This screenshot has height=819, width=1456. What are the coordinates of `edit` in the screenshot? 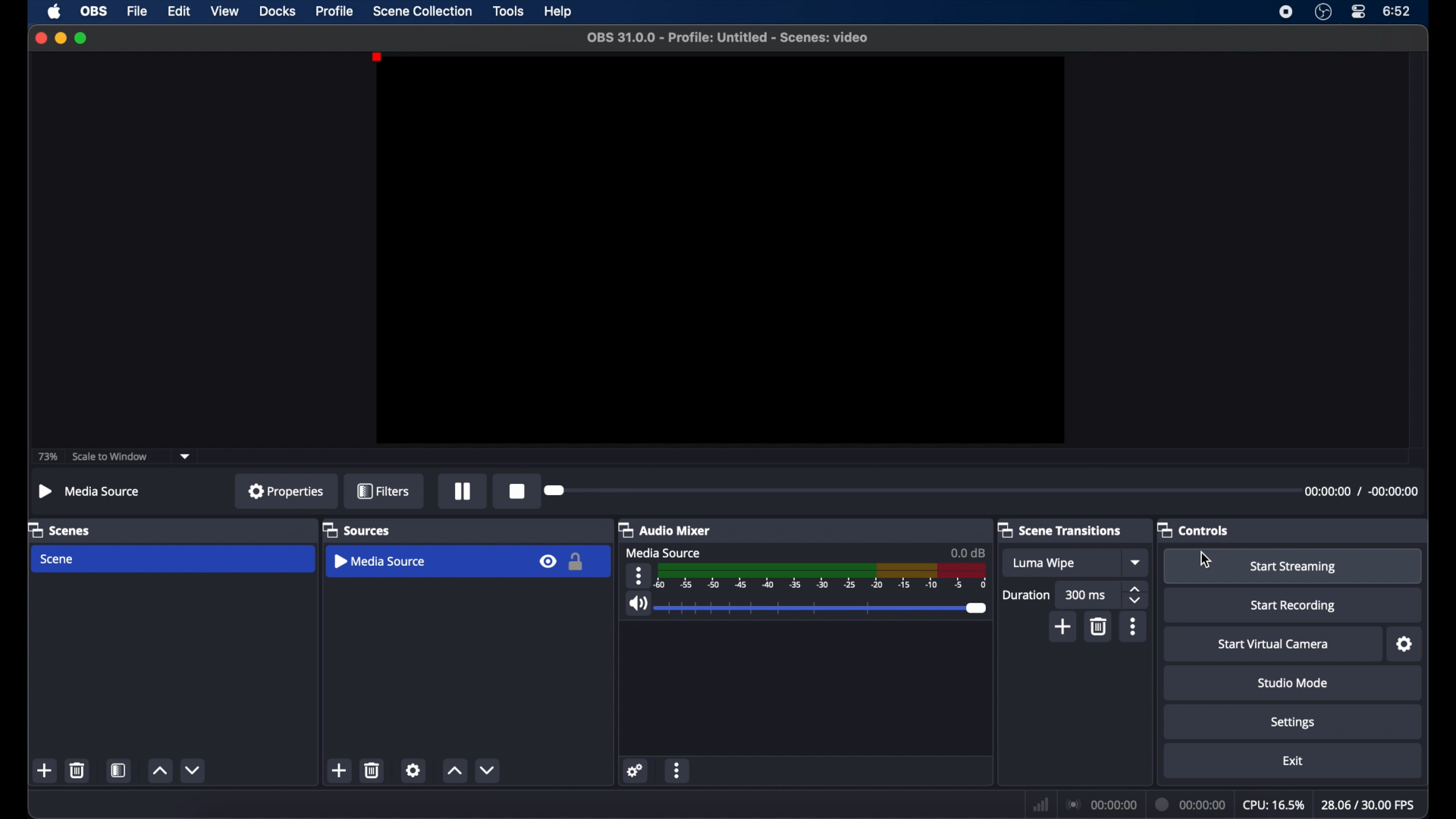 It's located at (178, 11).